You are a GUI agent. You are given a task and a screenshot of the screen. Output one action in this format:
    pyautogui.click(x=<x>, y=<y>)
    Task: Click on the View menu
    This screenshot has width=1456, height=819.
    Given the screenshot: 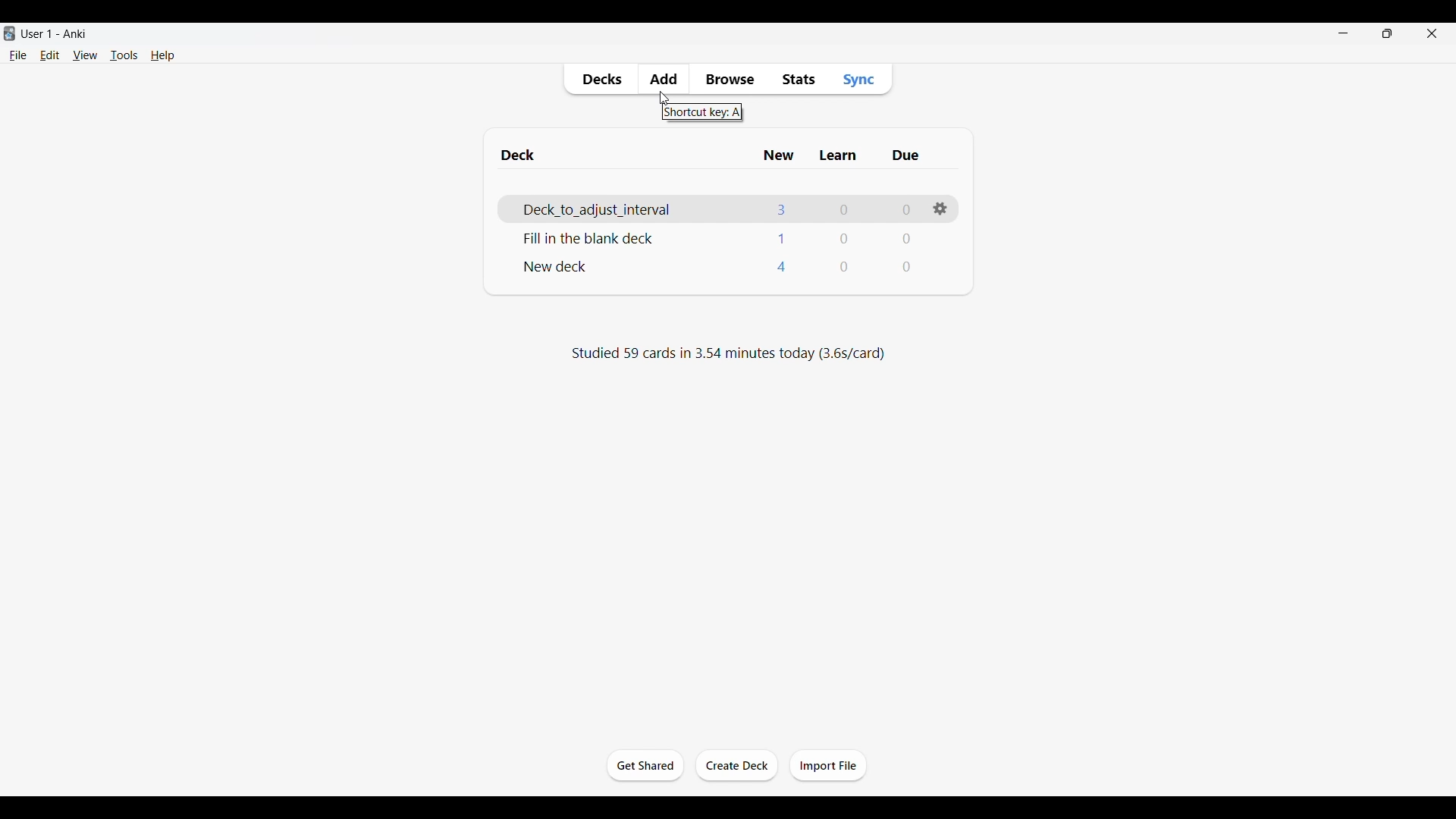 What is the action you would take?
    pyautogui.click(x=86, y=55)
    